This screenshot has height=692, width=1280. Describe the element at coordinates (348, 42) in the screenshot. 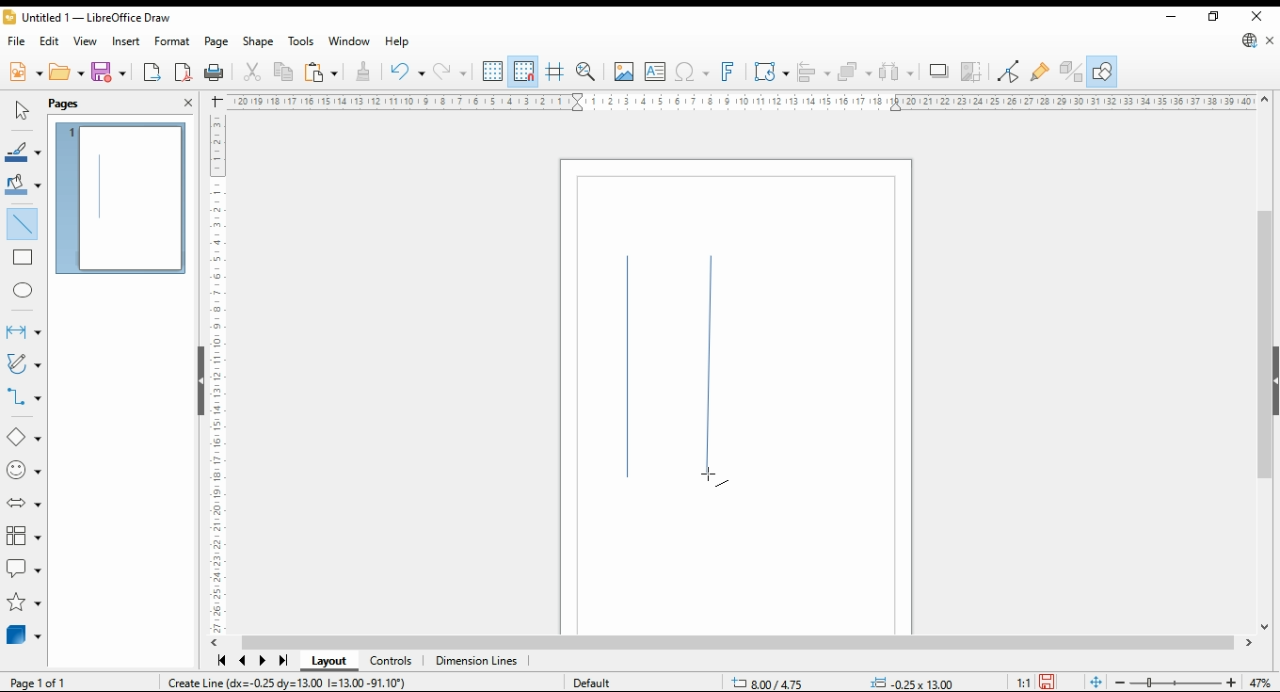

I see `window` at that location.